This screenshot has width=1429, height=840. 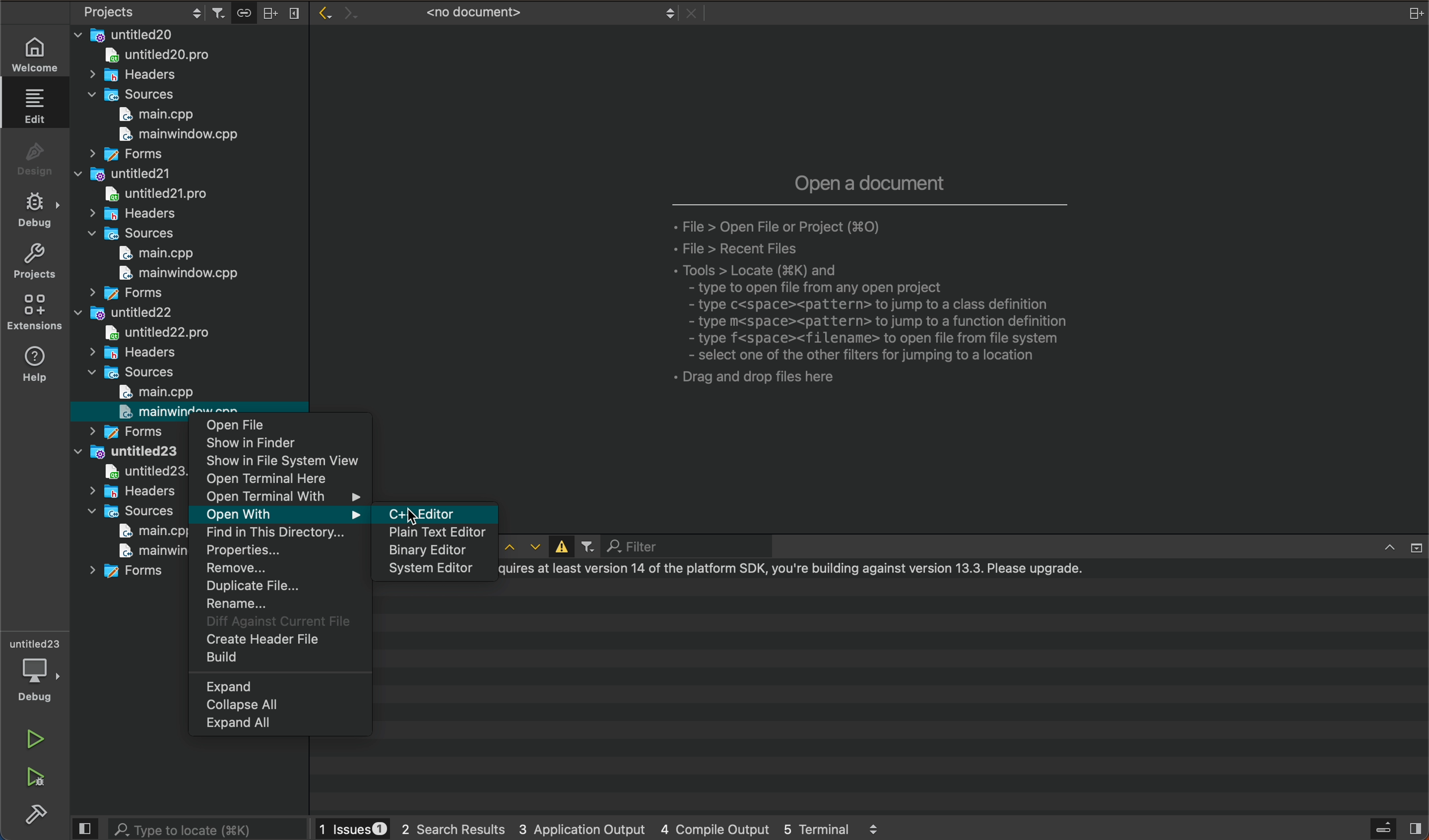 What do you see at coordinates (1393, 545) in the screenshot?
I see `close bar` at bounding box center [1393, 545].